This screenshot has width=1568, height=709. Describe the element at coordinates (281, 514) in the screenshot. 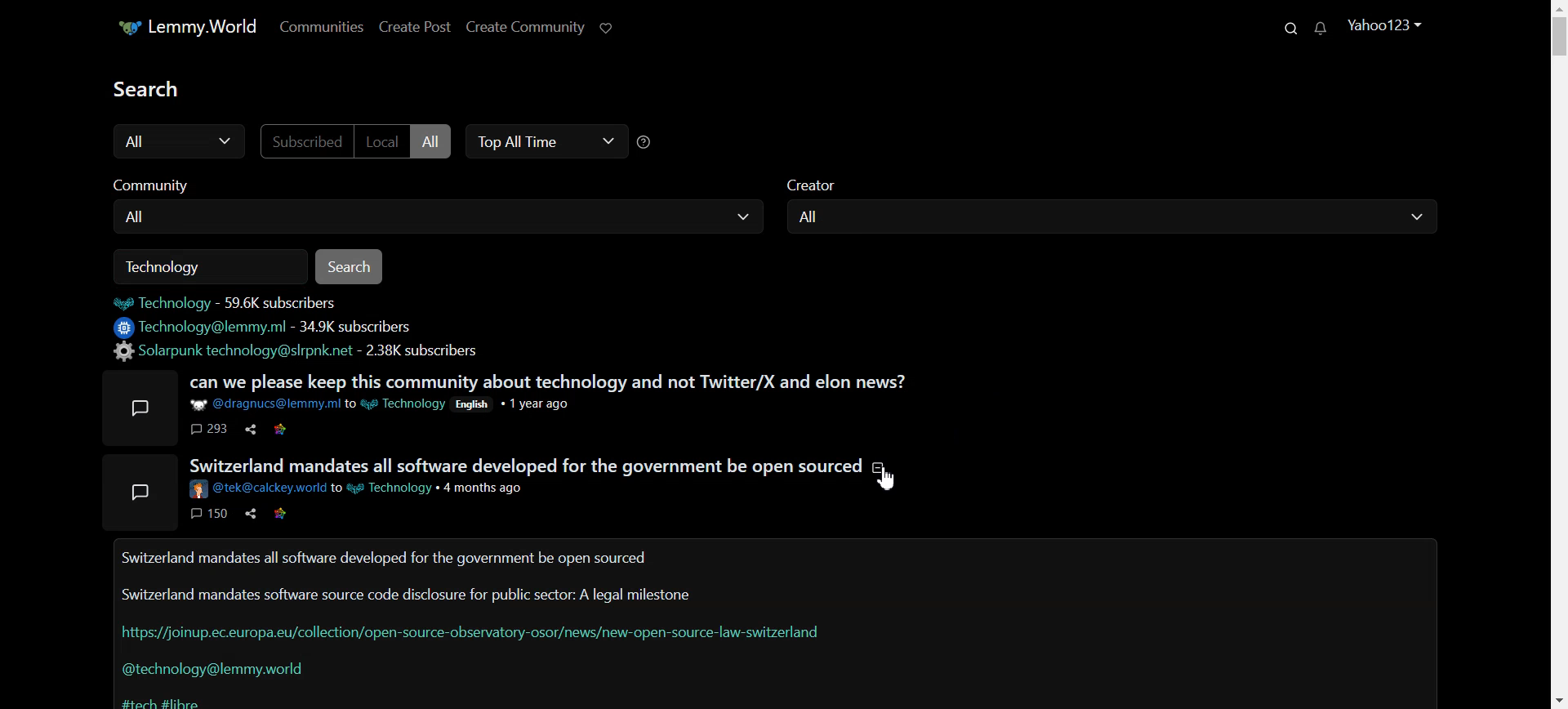

I see `starred` at that location.